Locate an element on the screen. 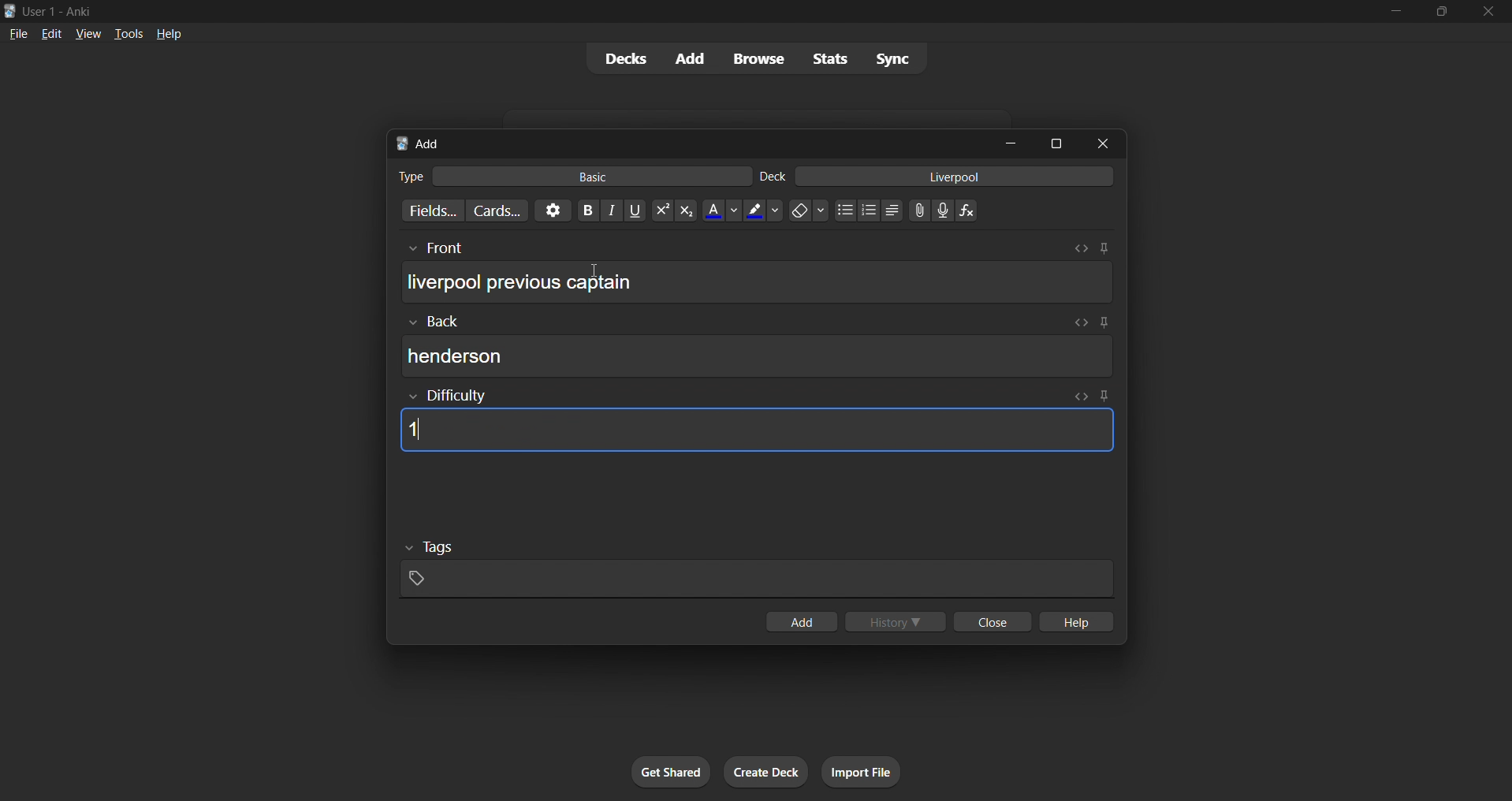  numbered list is located at coordinates (870, 212).